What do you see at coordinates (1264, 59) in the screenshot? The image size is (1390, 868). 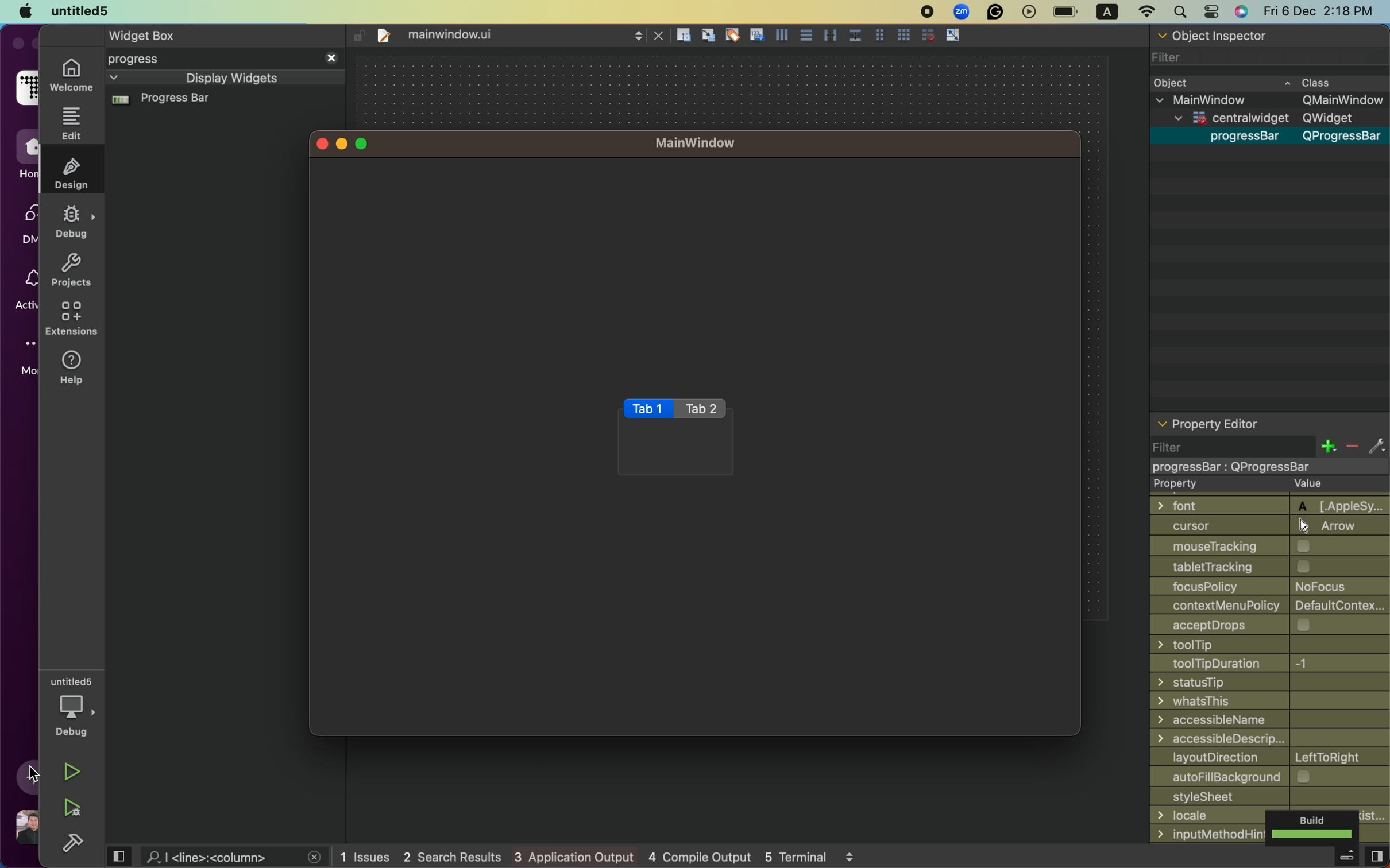 I see `filter` at bounding box center [1264, 59].